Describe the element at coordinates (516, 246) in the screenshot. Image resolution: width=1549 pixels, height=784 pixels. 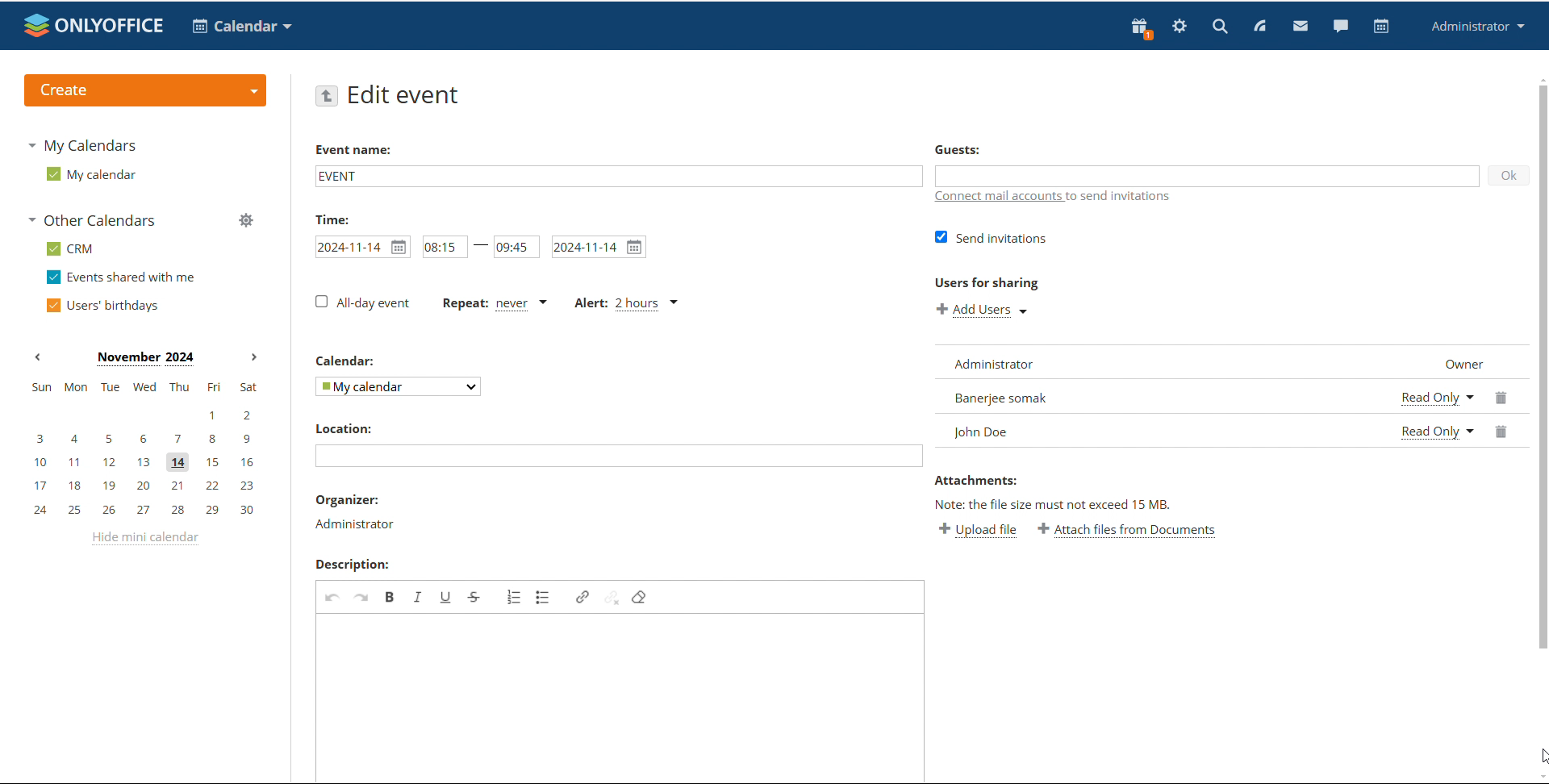
I see `set end time` at that location.